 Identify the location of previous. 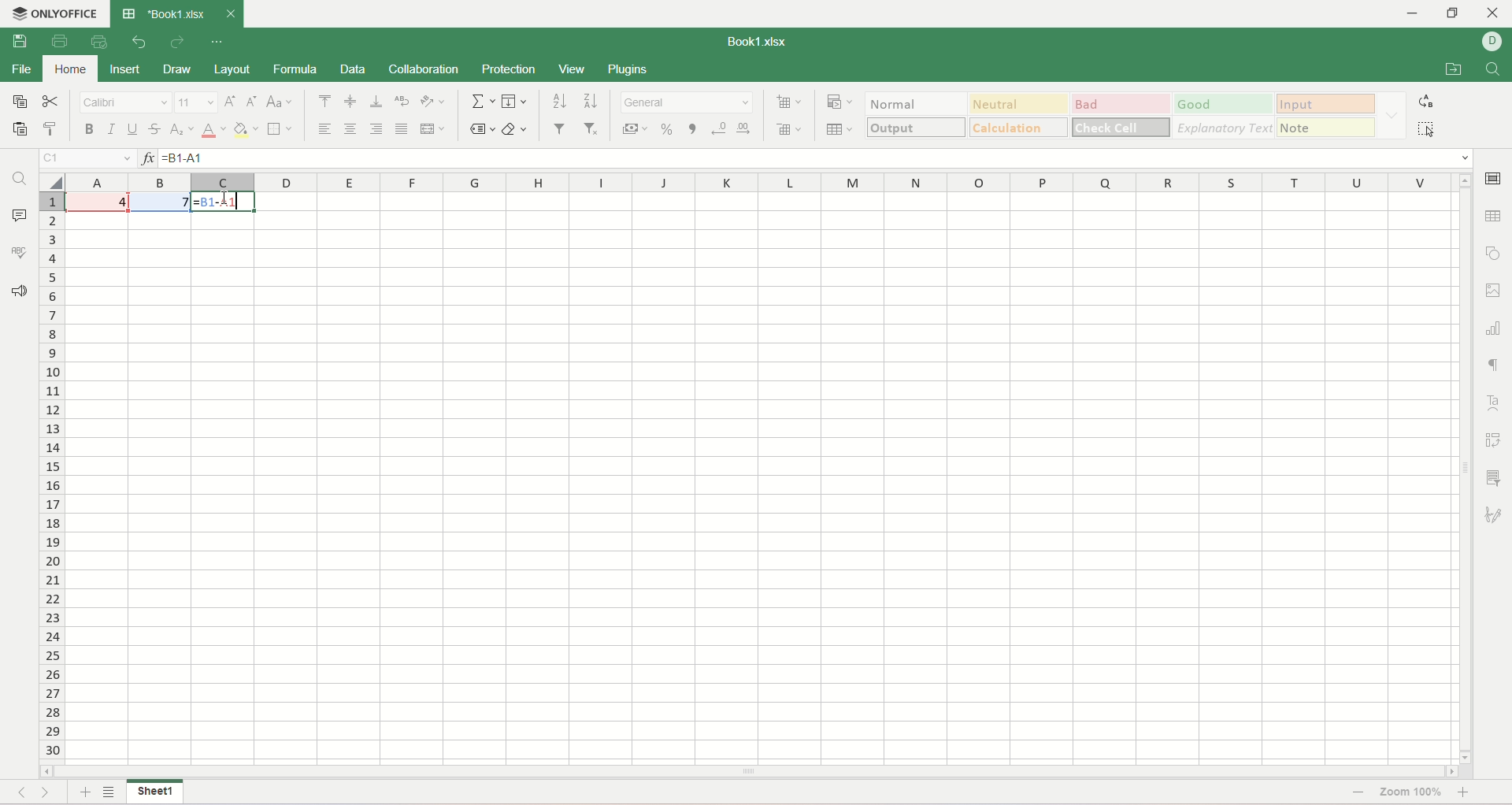
(20, 791).